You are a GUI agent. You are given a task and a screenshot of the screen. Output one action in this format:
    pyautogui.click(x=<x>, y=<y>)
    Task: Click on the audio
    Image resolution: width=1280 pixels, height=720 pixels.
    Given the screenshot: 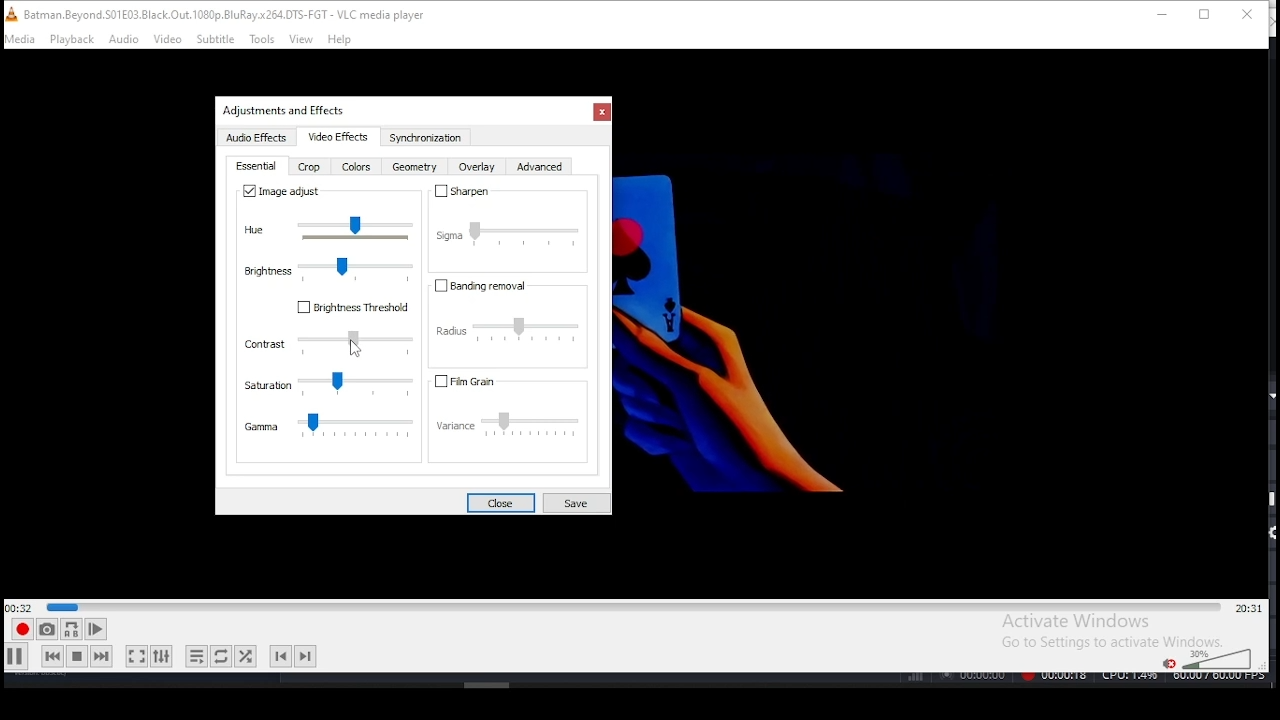 What is the action you would take?
    pyautogui.click(x=125, y=40)
    